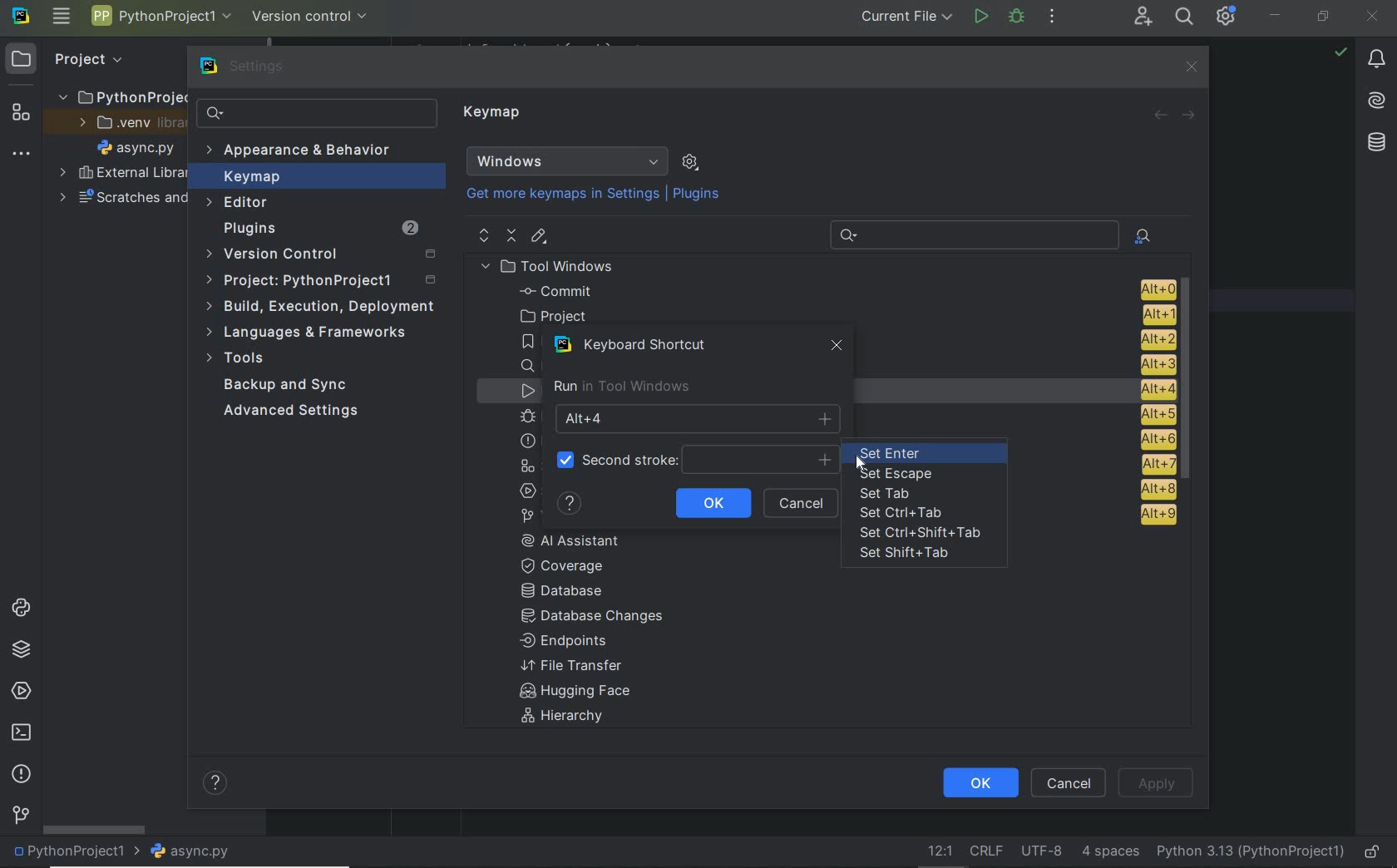 The height and width of the screenshot is (868, 1397). Describe the element at coordinates (122, 96) in the screenshot. I see `PythonProject` at that location.